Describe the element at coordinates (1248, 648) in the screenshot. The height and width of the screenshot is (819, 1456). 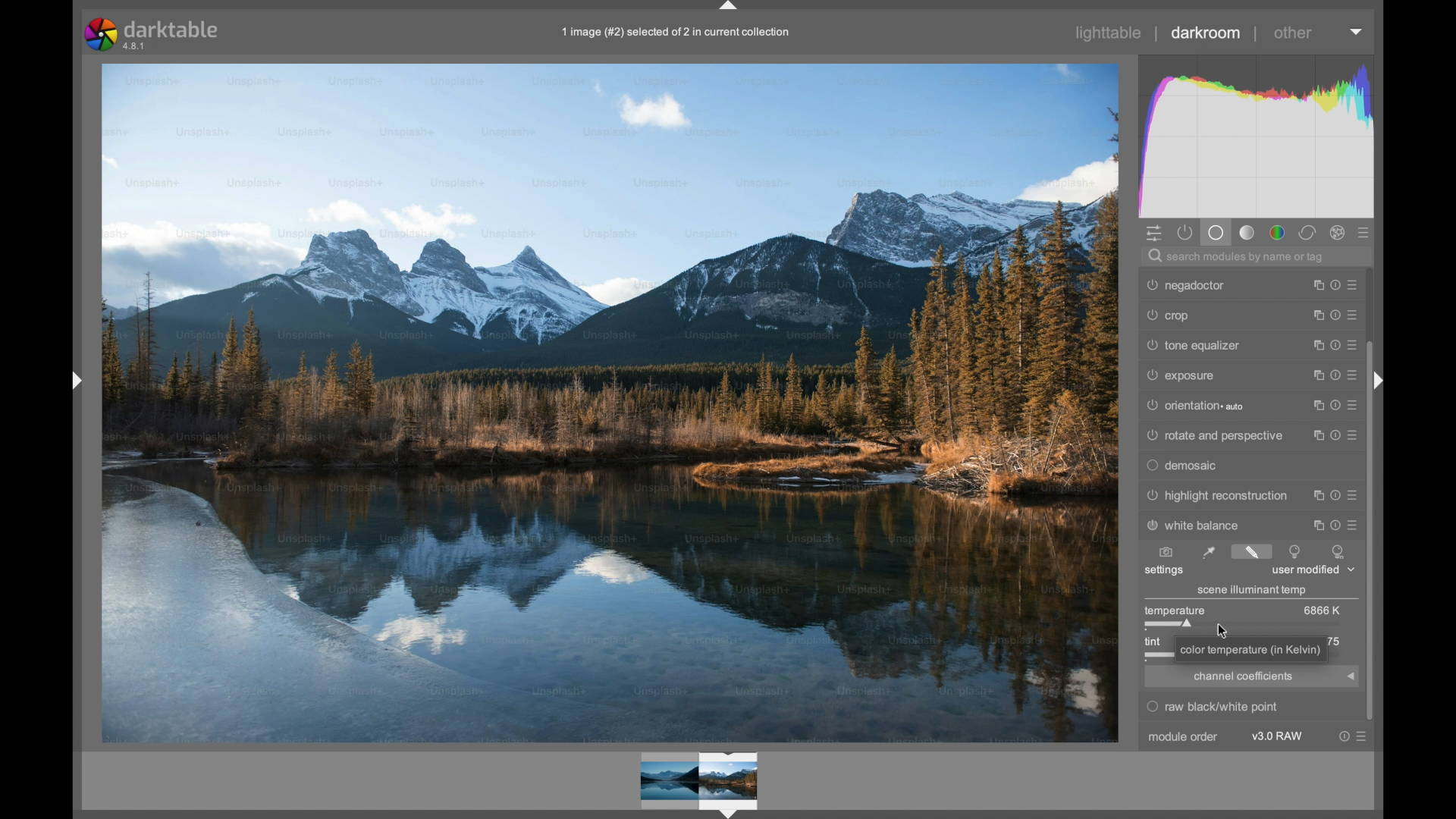
I see `color temperature (in Kelvin)` at that location.